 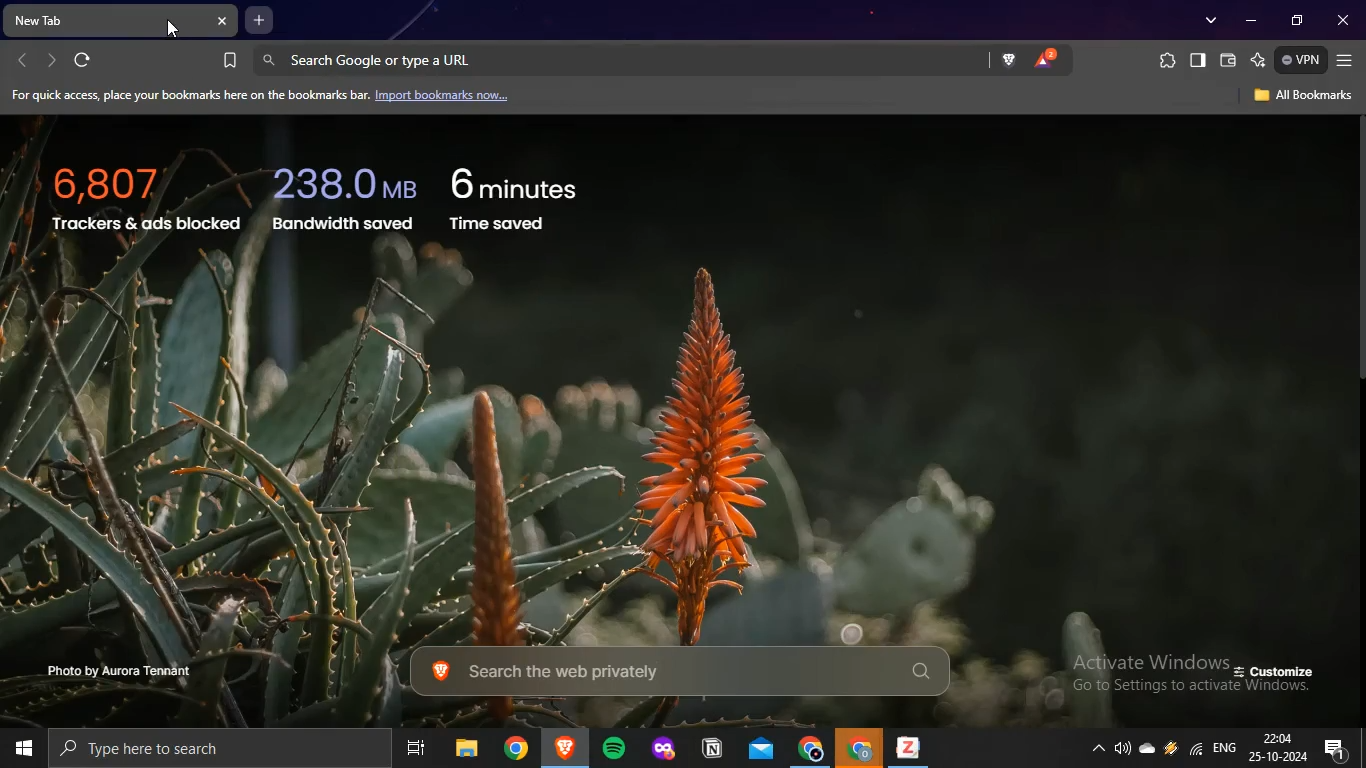 I want to click on extensions, so click(x=1168, y=61).